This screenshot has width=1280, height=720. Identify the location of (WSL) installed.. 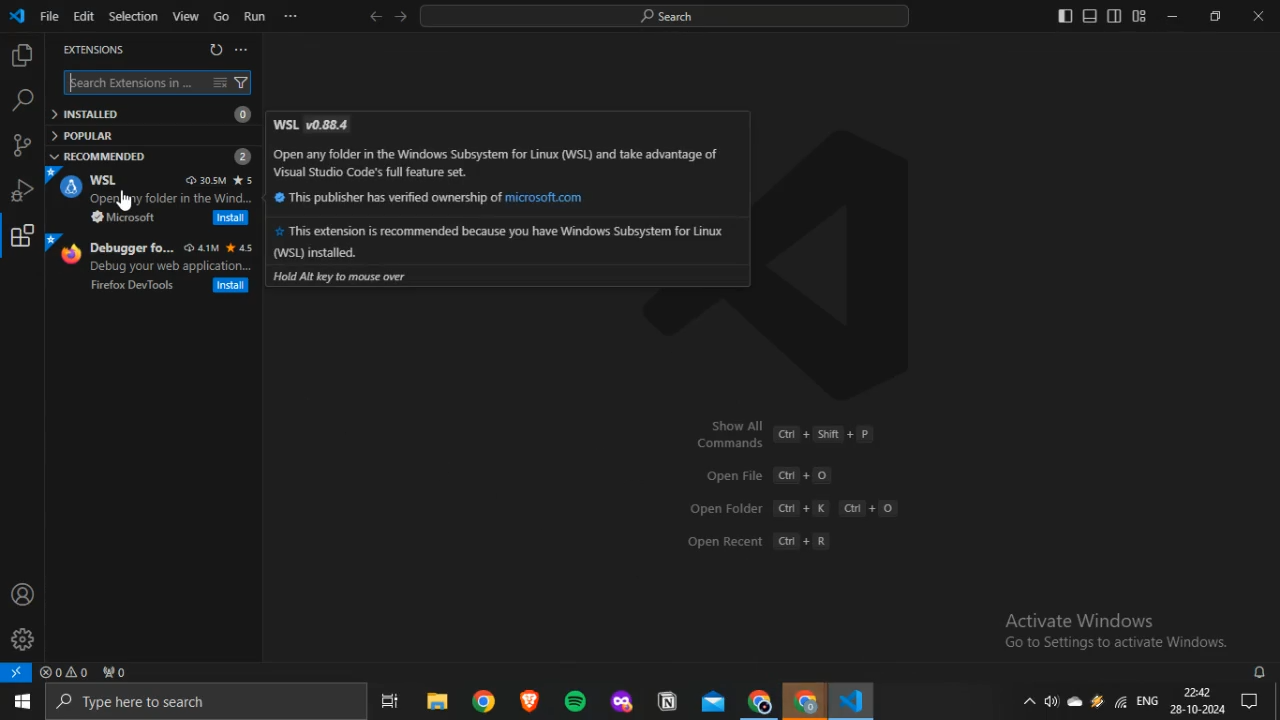
(314, 252).